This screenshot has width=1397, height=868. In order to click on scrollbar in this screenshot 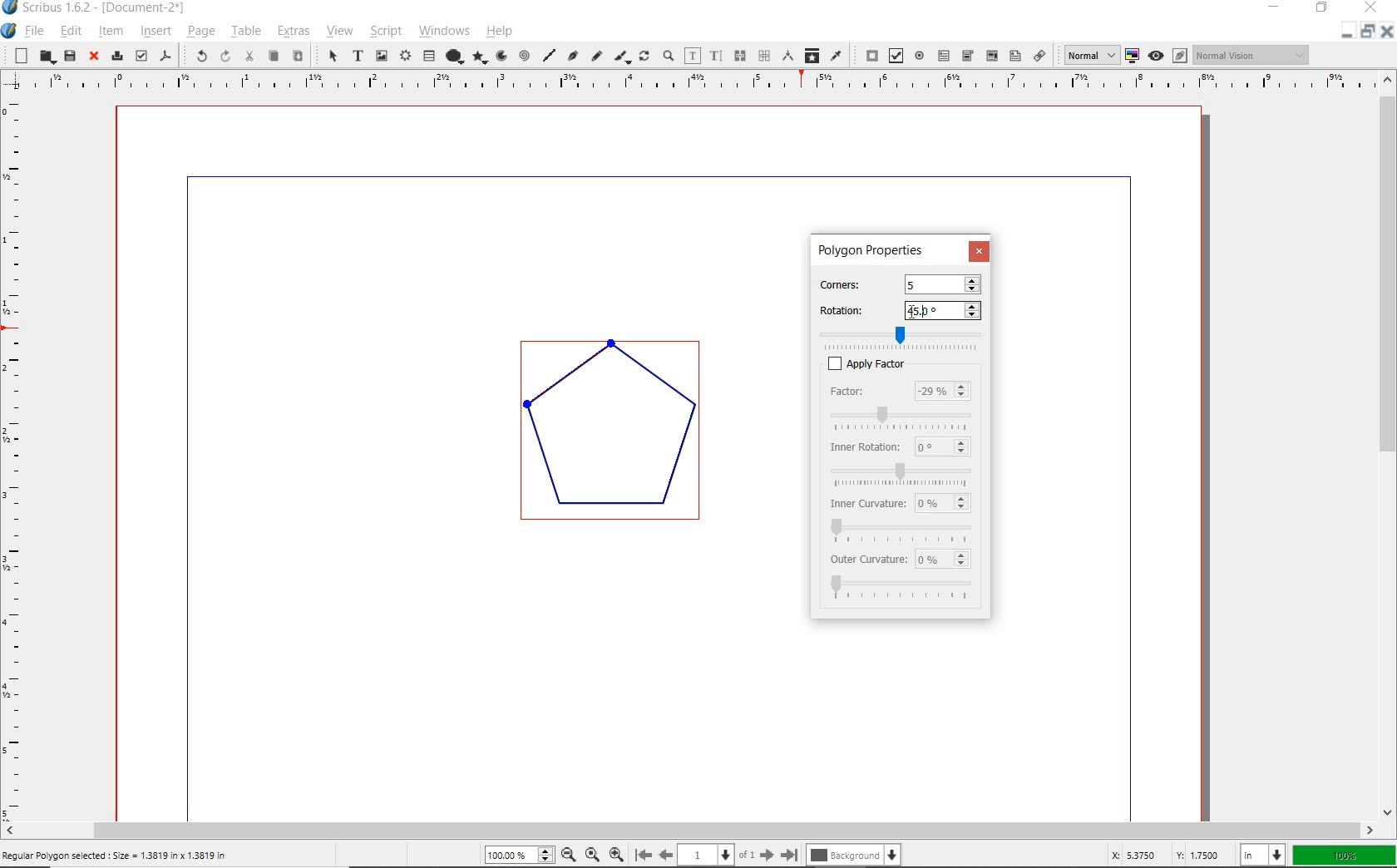, I will do `click(1389, 446)`.